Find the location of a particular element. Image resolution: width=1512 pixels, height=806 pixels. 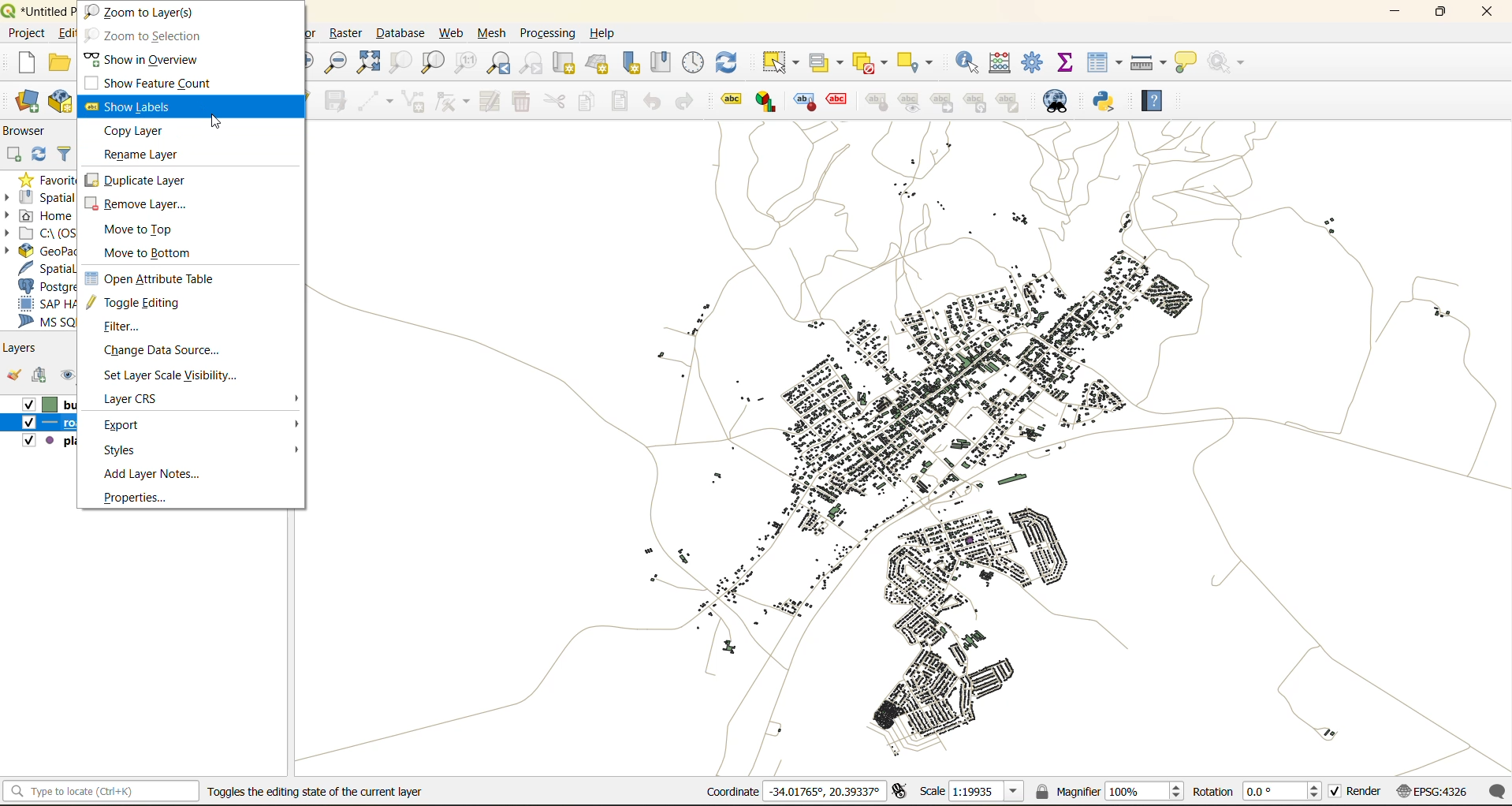

show labels is located at coordinates (133, 109).